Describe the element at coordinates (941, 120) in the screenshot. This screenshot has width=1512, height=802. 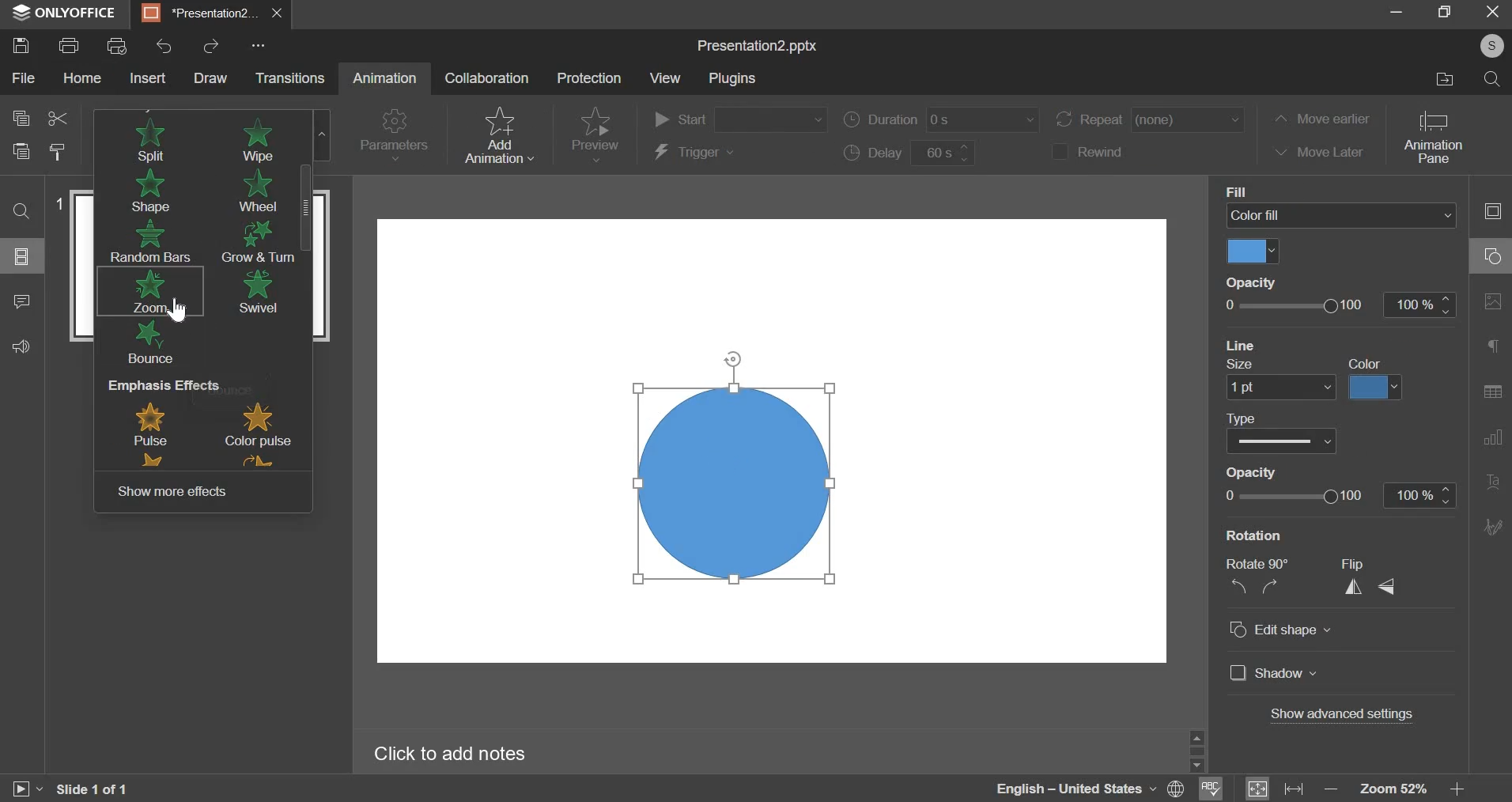
I see `duration` at that location.